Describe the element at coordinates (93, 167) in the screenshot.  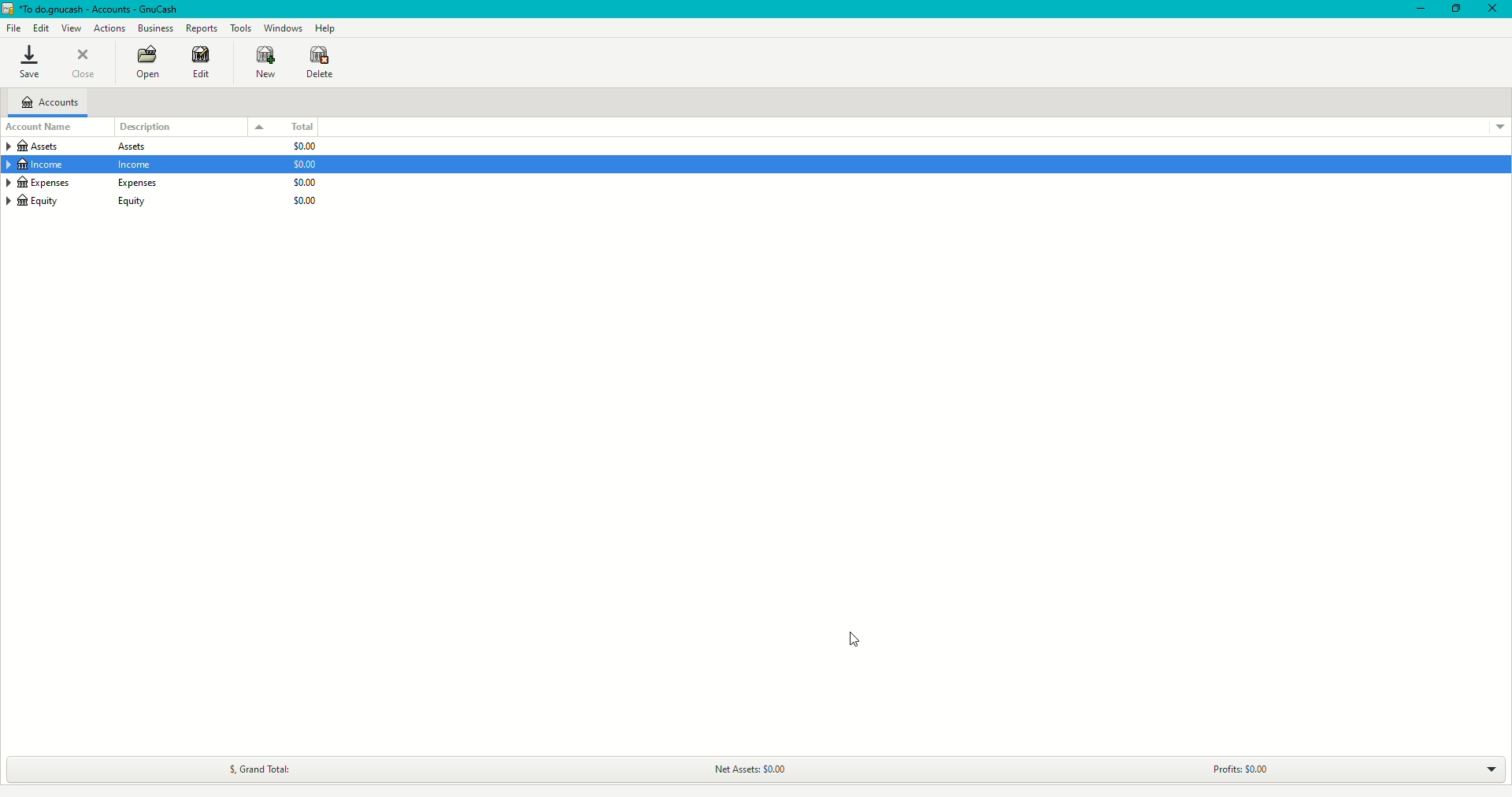
I see `Income` at that location.